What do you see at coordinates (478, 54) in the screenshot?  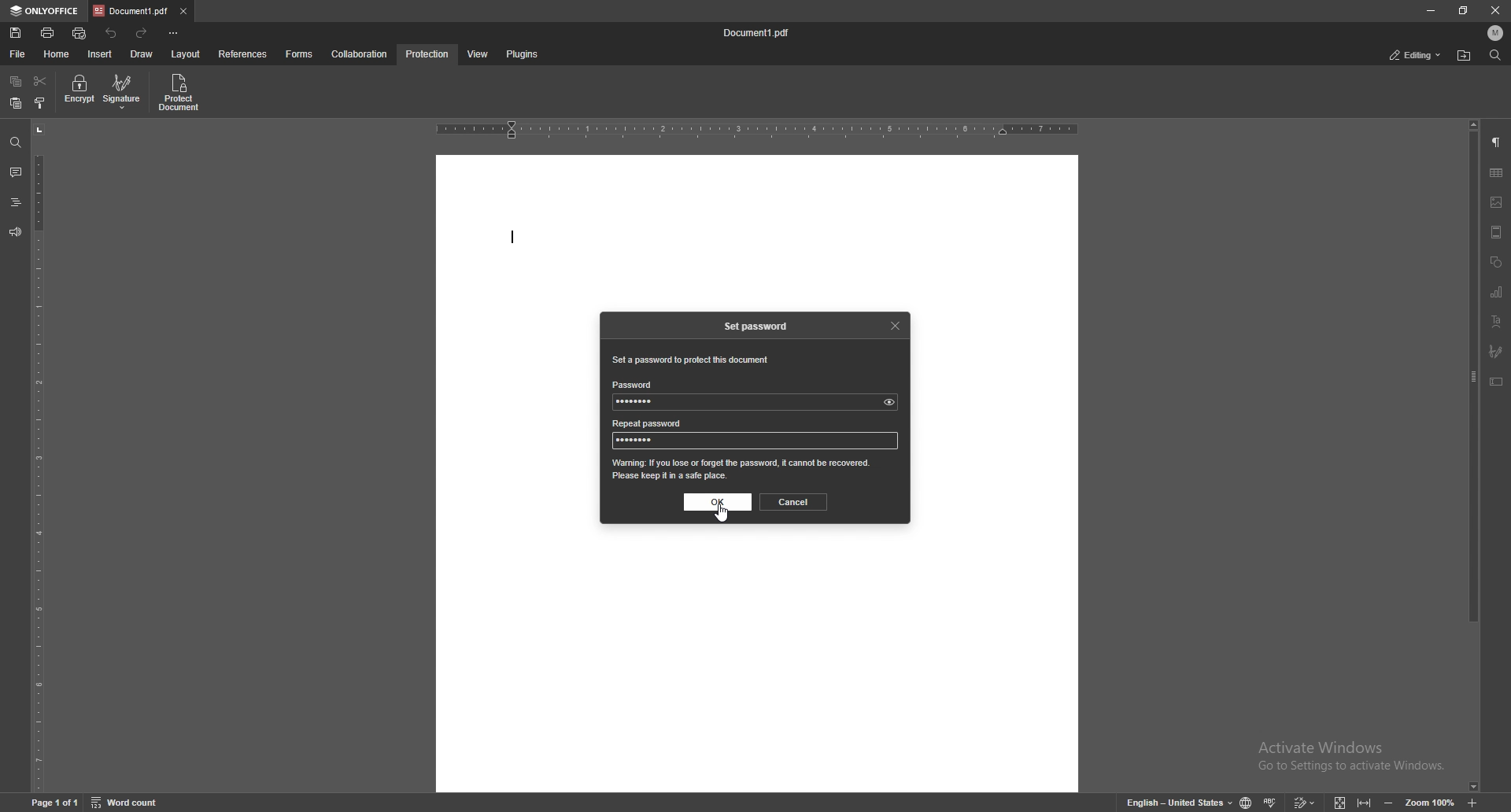 I see `view` at bounding box center [478, 54].